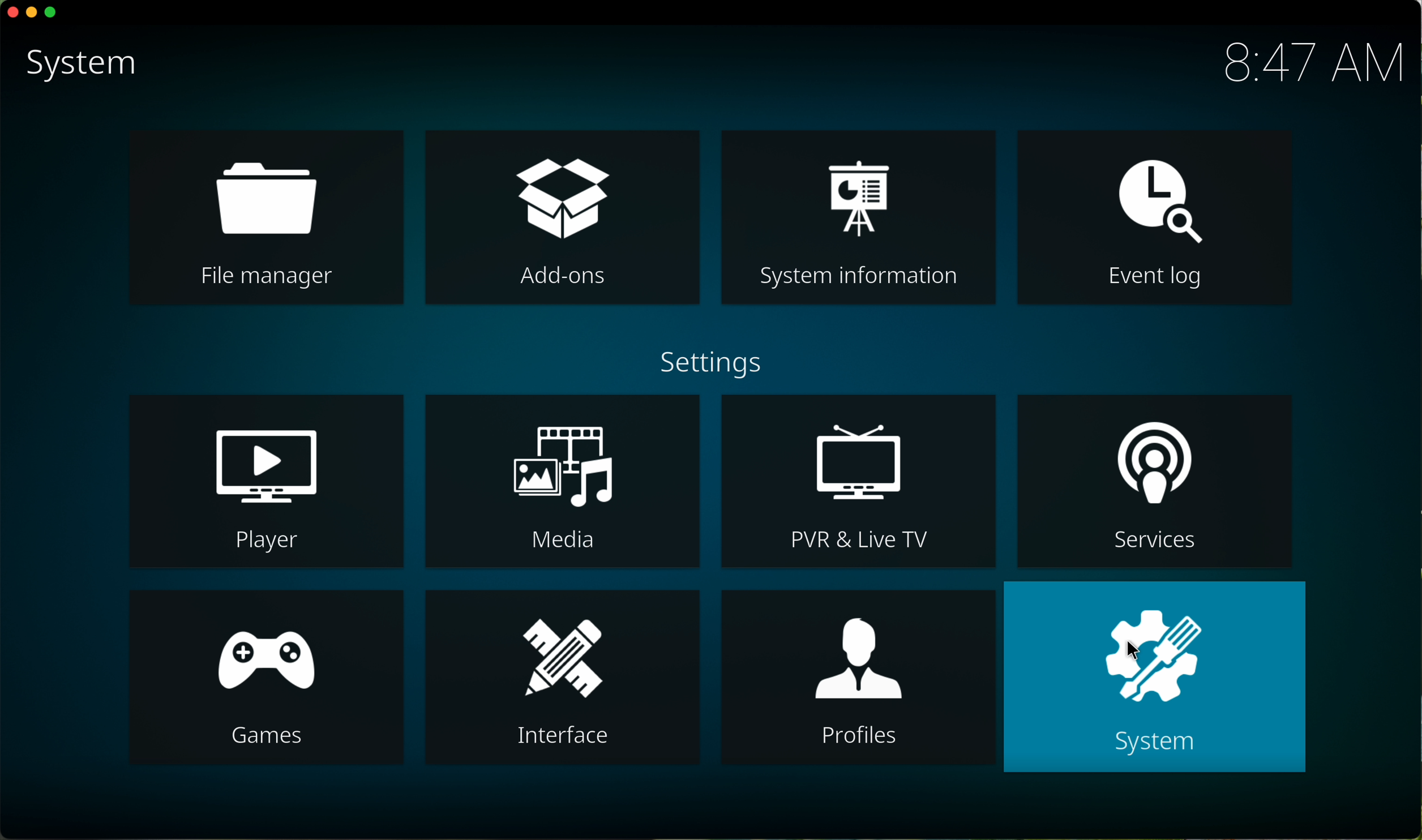 The image size is (1422, 840). I want to click on settings, so click(711, 363).